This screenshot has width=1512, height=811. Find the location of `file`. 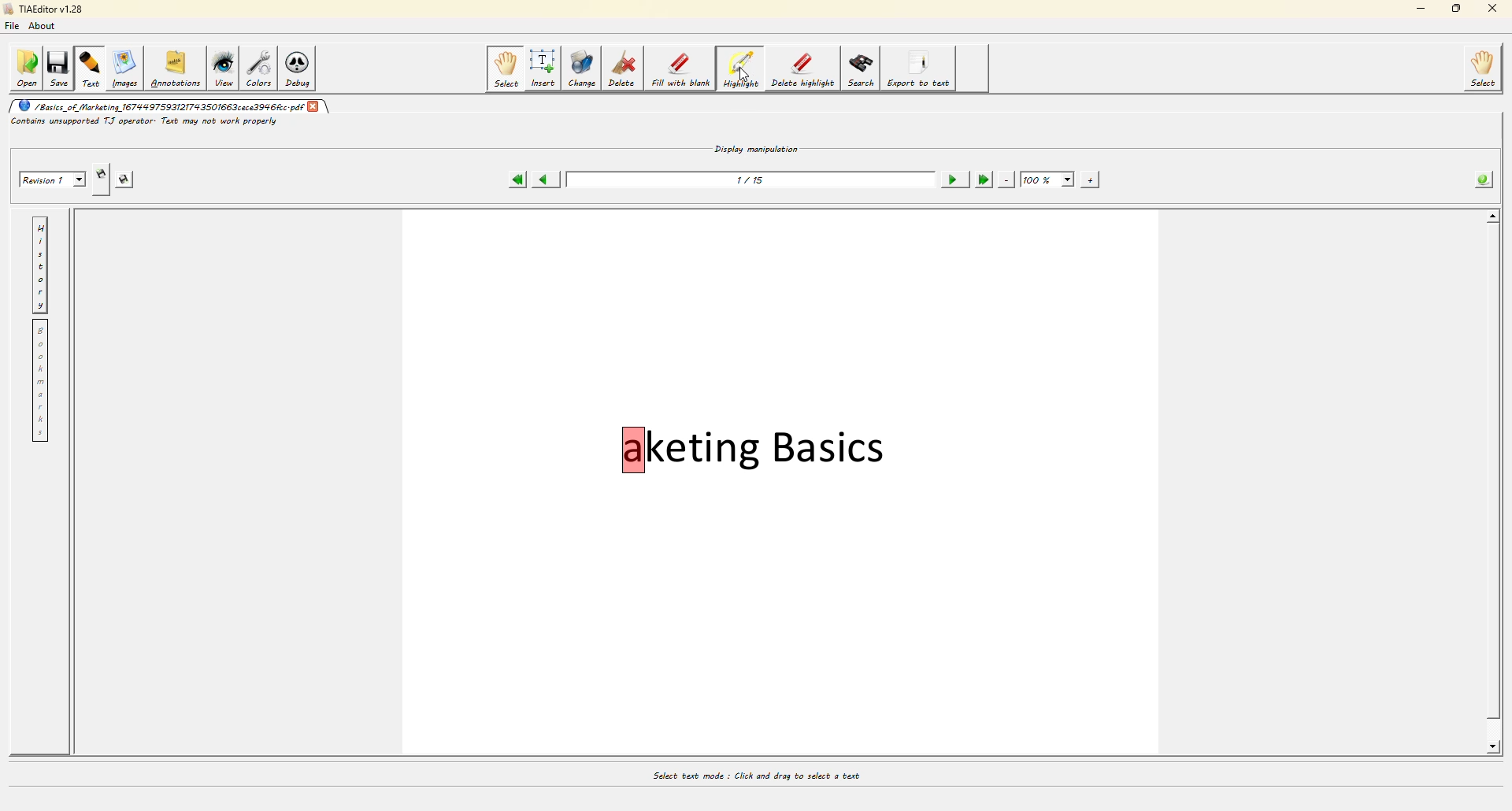

file is located at coordinates (13, 28).